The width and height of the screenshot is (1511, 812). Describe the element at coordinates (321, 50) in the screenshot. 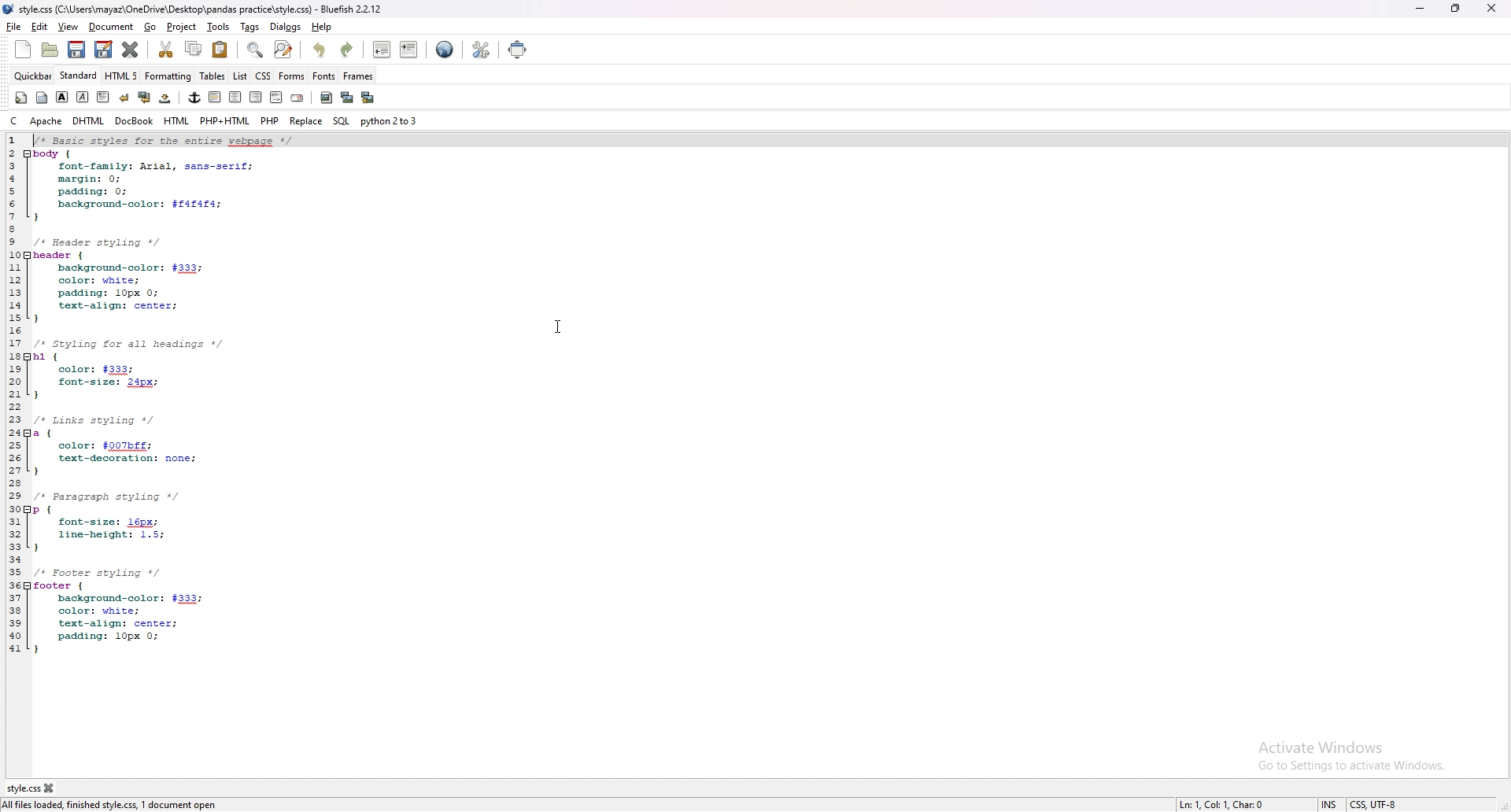

I see `undo` at that location.